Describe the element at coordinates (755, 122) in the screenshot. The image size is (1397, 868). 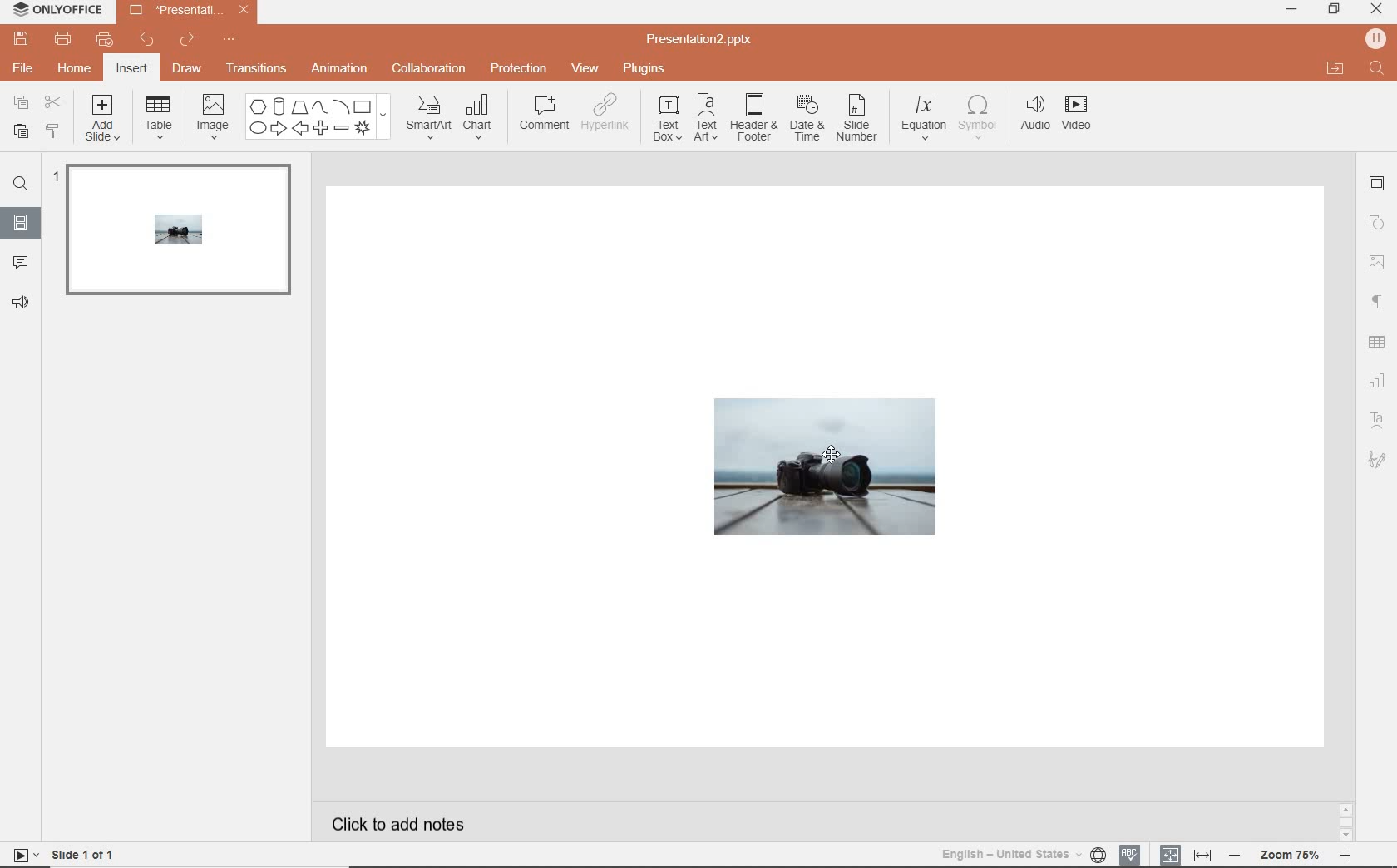
I see `header & footer` at that location.